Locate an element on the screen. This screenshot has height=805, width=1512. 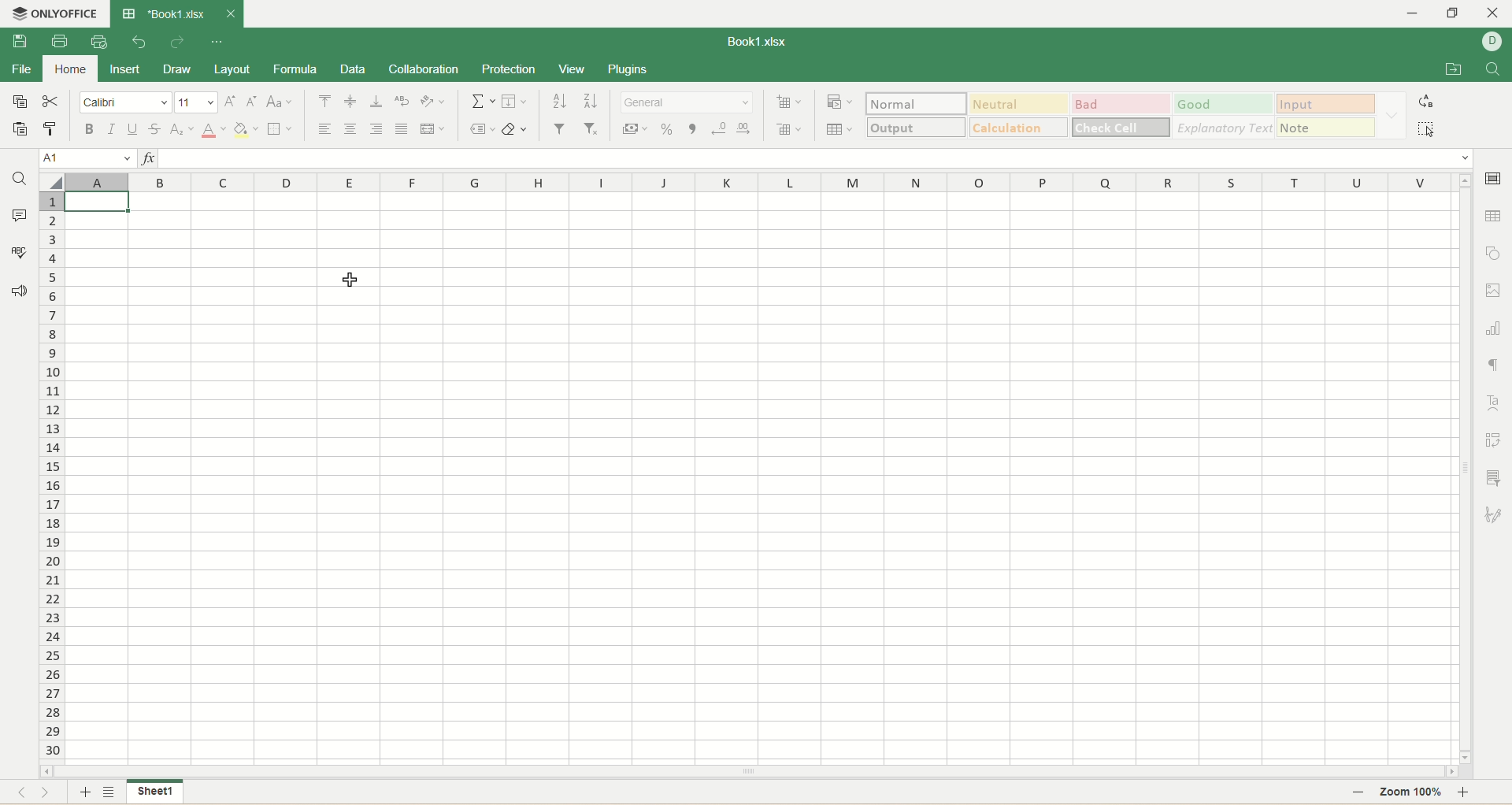
add sheet is located at coordinates (83, 792).